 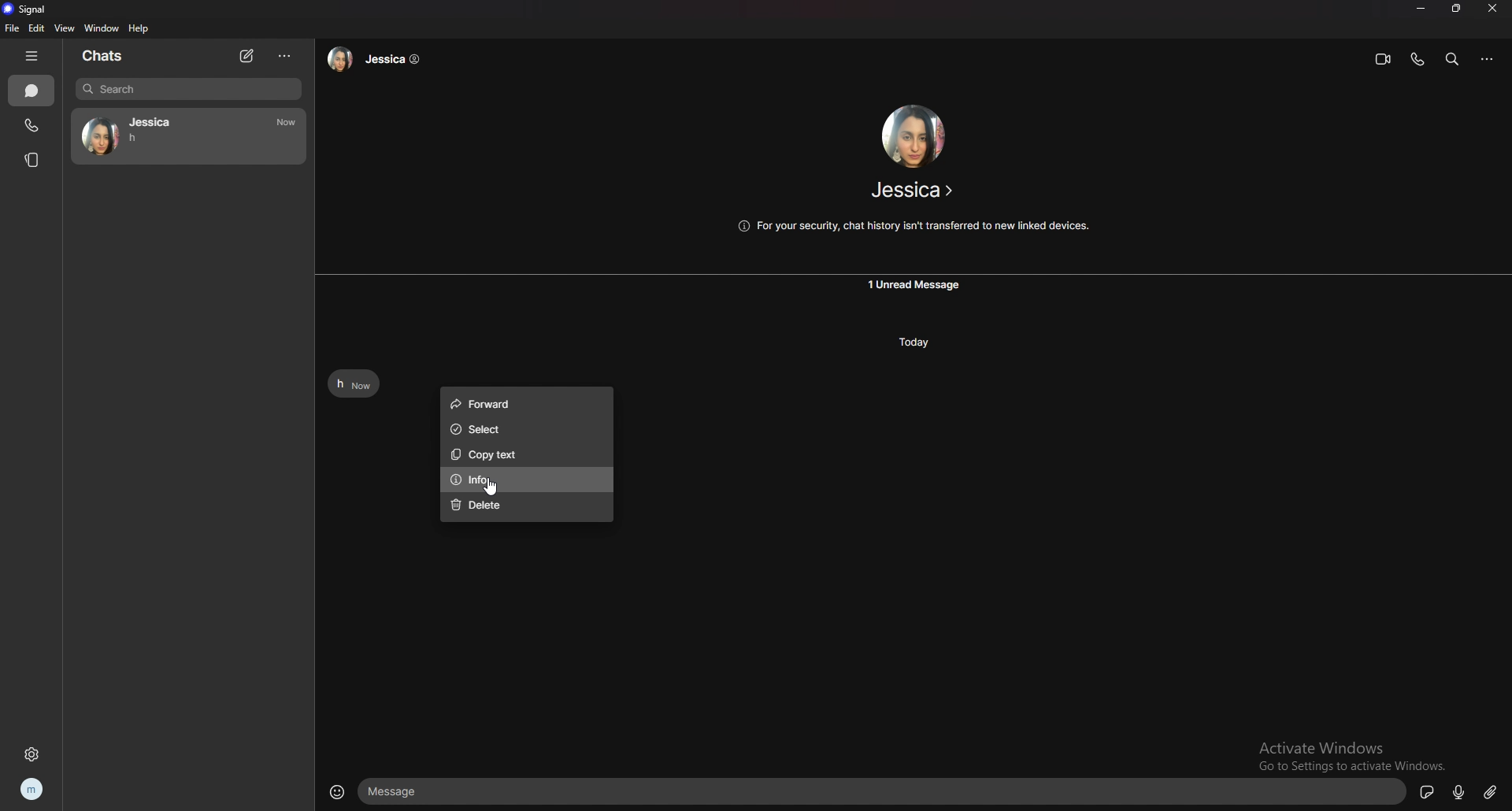 I want to click on mic, so click(x=1458, y=791).